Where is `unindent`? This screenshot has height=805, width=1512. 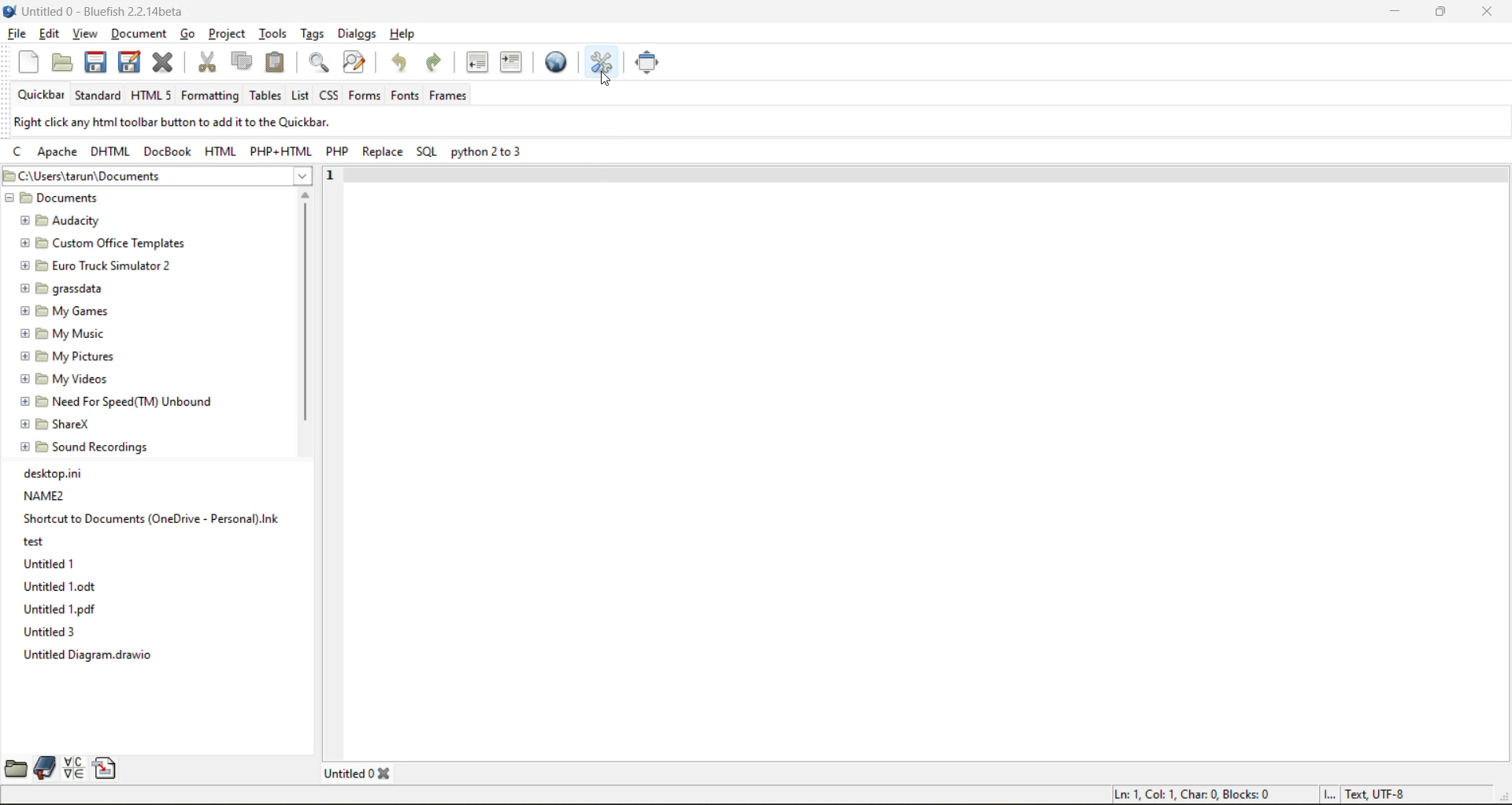
unindent is located at coordinates (477, 63).